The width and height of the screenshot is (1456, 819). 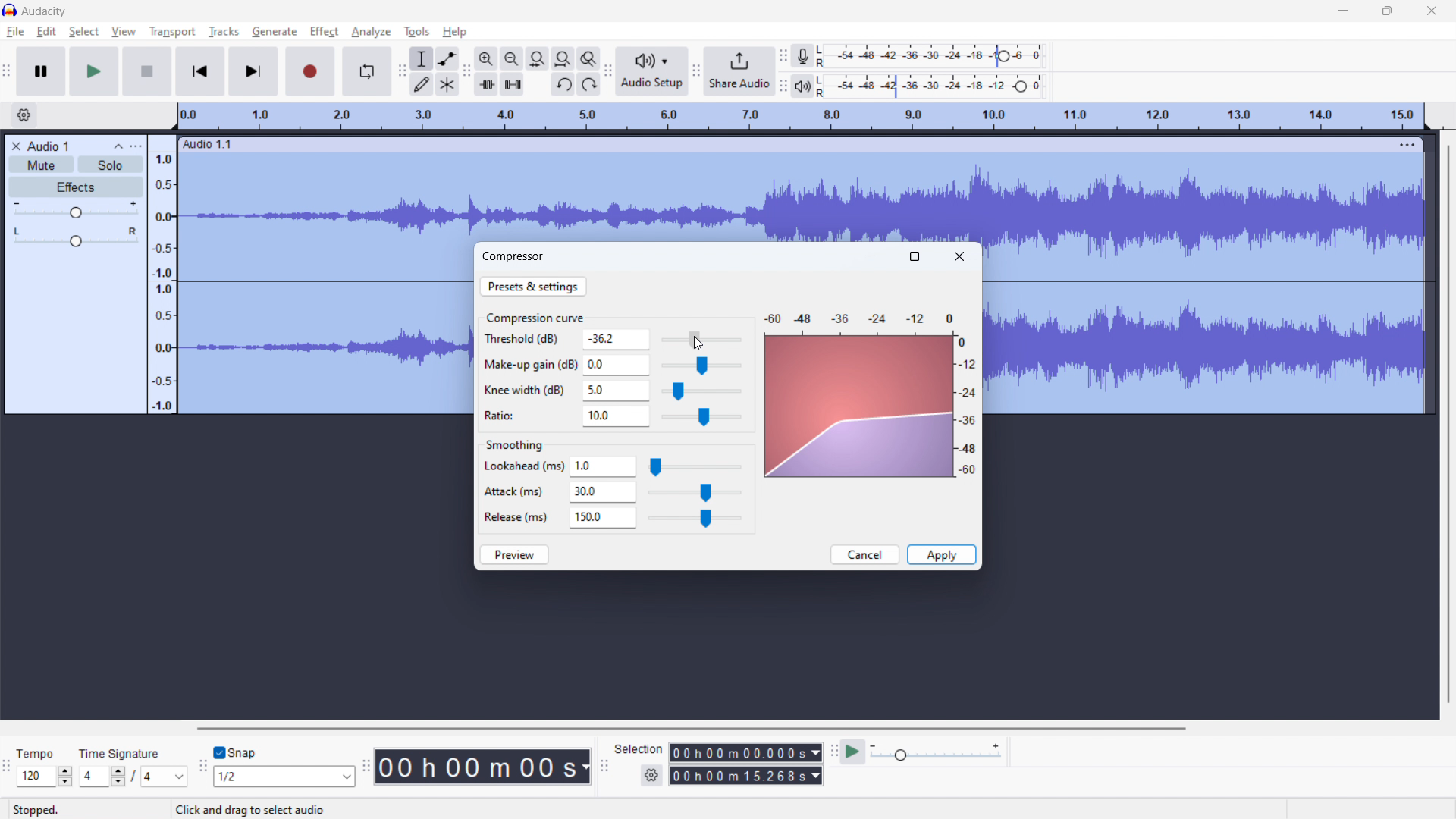 What do you see at coordinates (370, 33) in the screenshot?
I see `analyze` at bounding box center [370, 33].